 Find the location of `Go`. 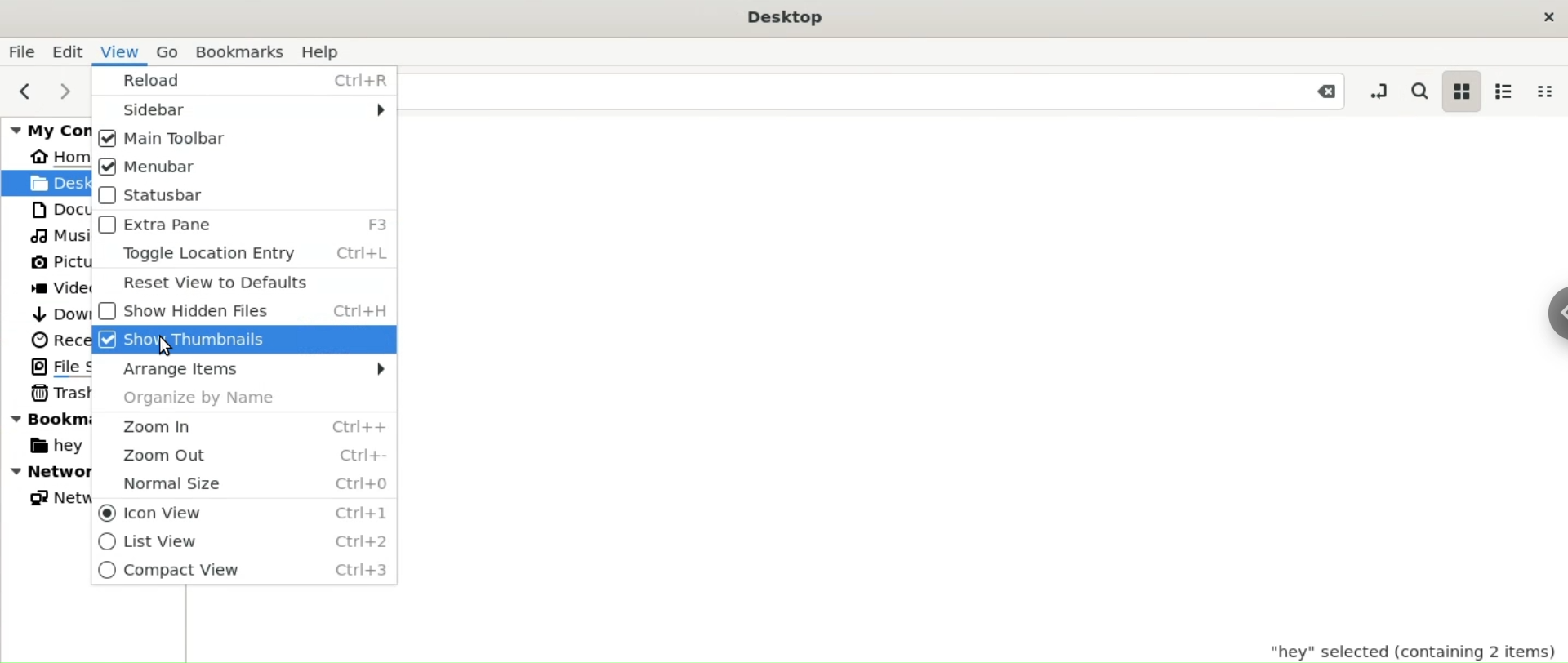

Go is located at coordinates (170, 52).